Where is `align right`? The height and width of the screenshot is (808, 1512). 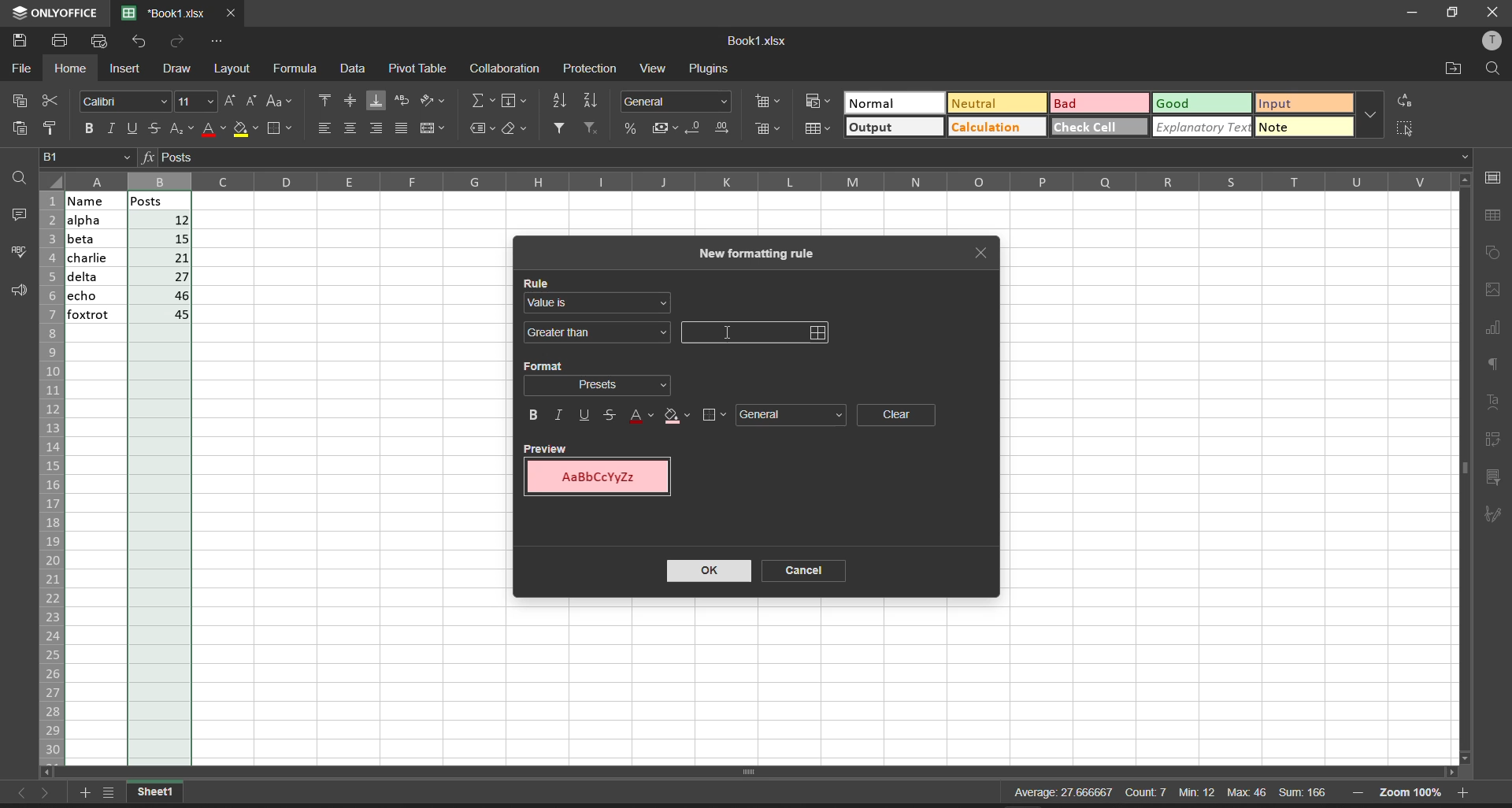 align right is located at coordinates (377, 129).